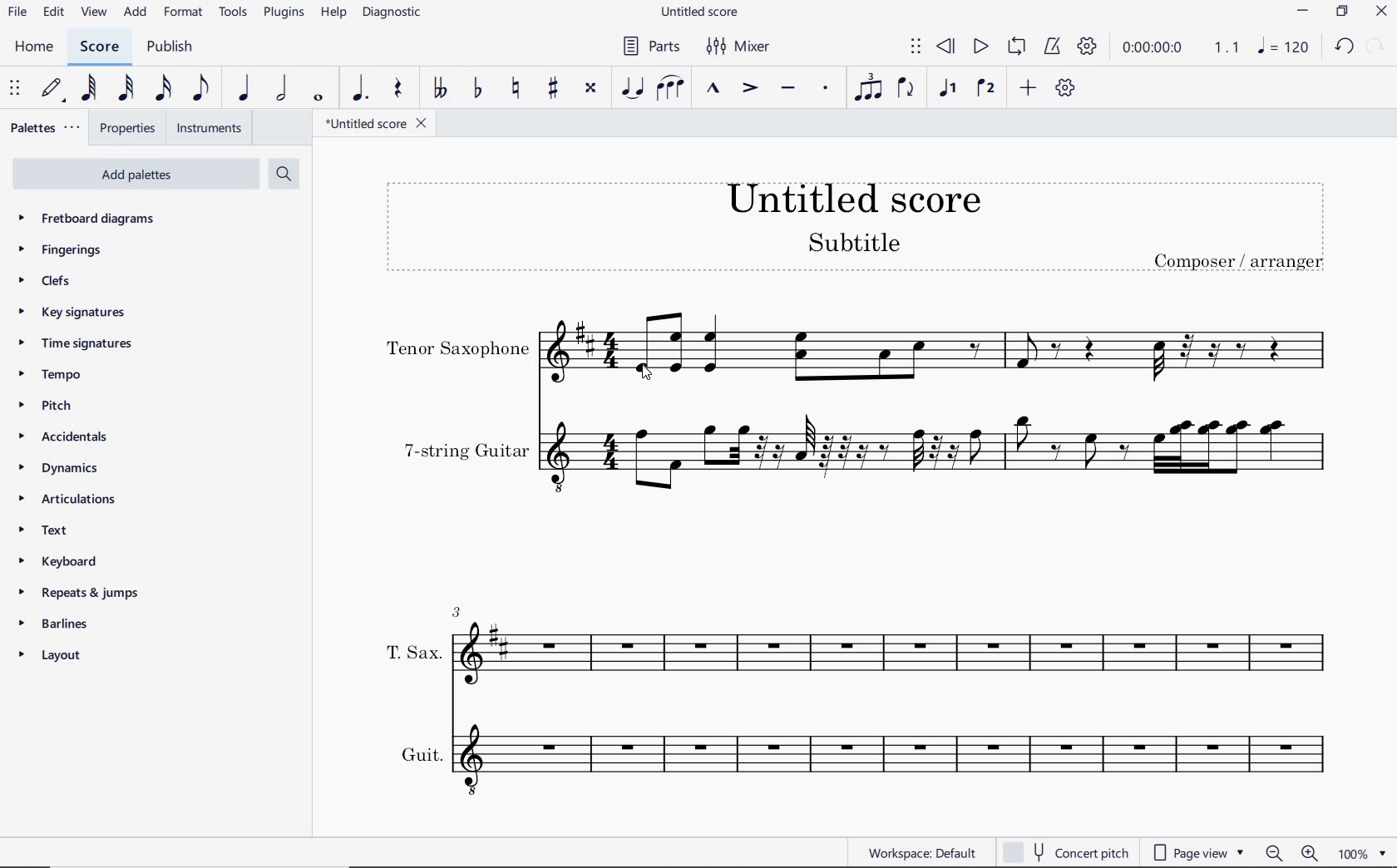 This screenshot has width=1397, height=868. Describe the element at coordinates (62, 250) in the screenshot. I see `FINGERINGS` at that location.